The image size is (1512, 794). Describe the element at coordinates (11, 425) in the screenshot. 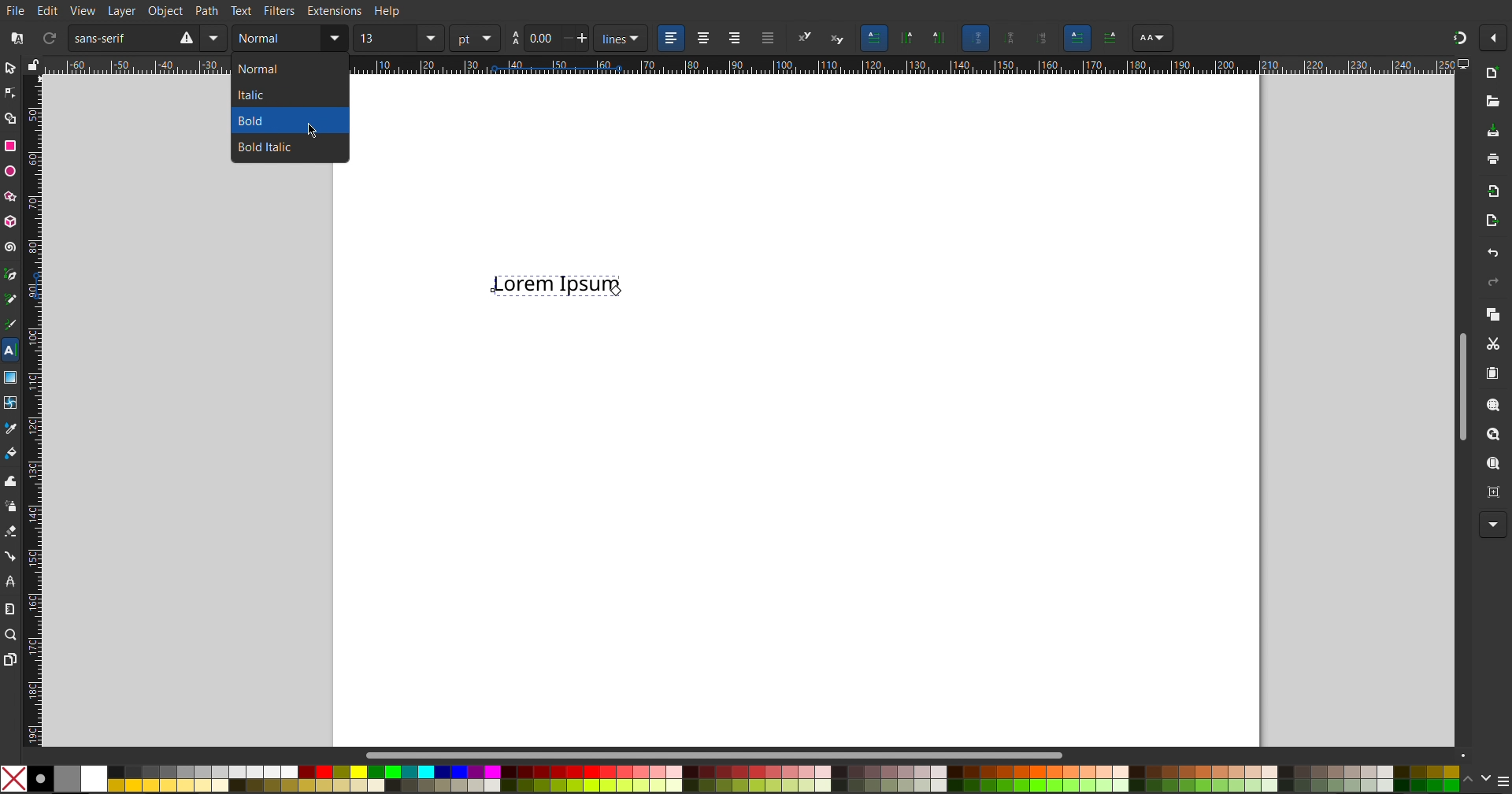

I see `Dropper Tool` at that location.